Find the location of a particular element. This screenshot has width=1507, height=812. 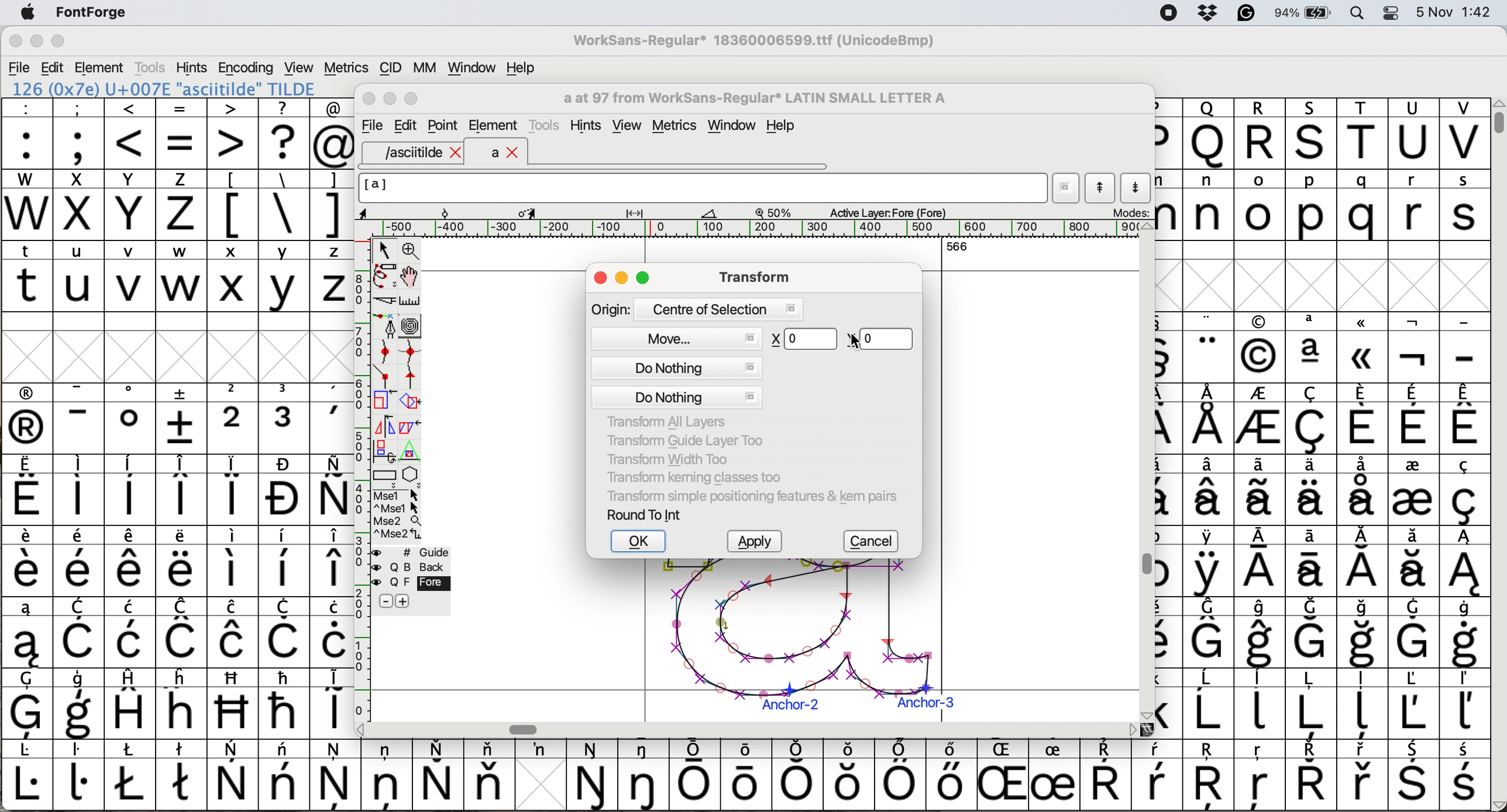

symbol is located at coordinates (28, 704).